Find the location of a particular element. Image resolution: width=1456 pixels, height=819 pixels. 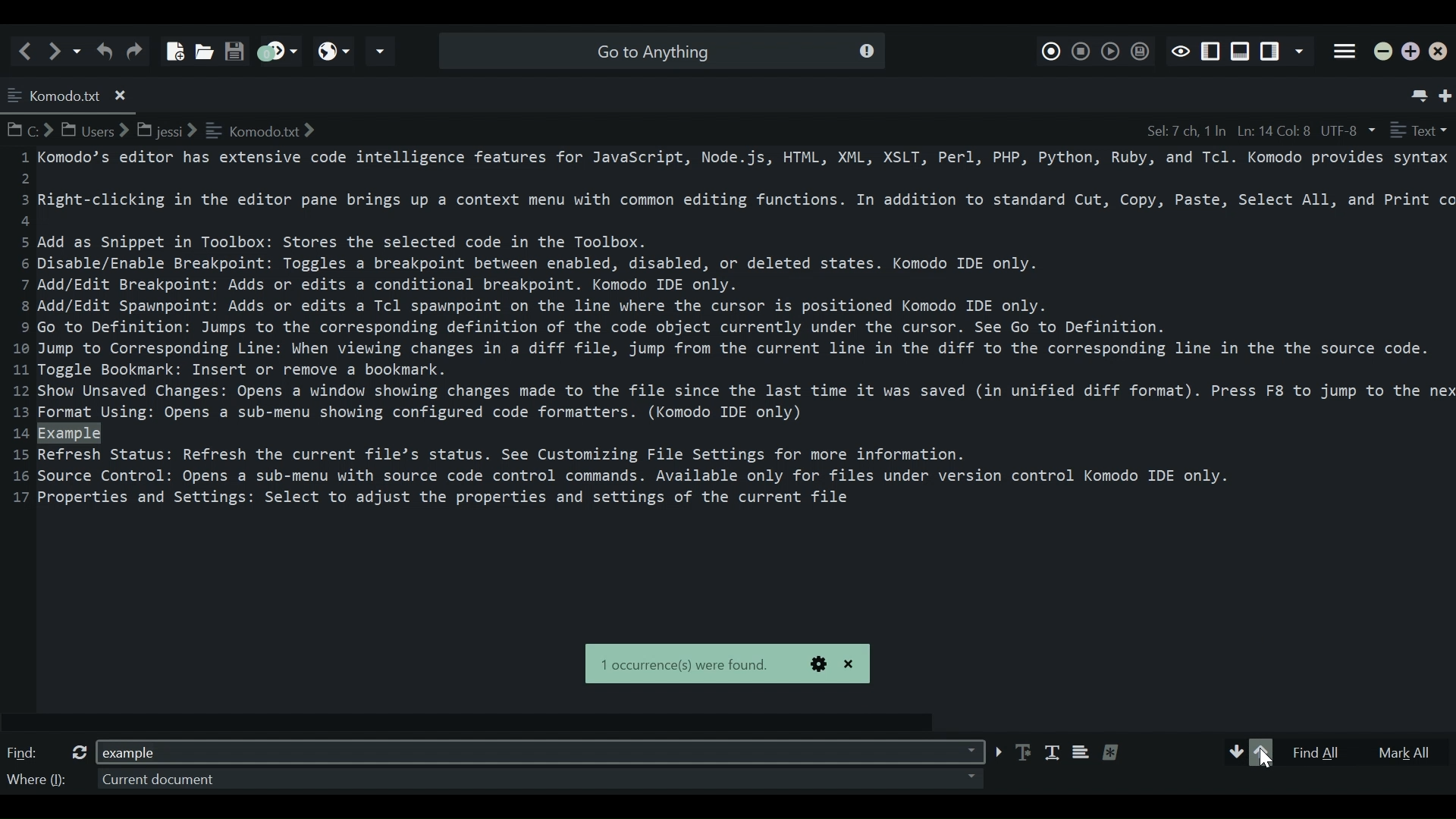

Jump to next syntax checking result is located at coordinates (276, 51).